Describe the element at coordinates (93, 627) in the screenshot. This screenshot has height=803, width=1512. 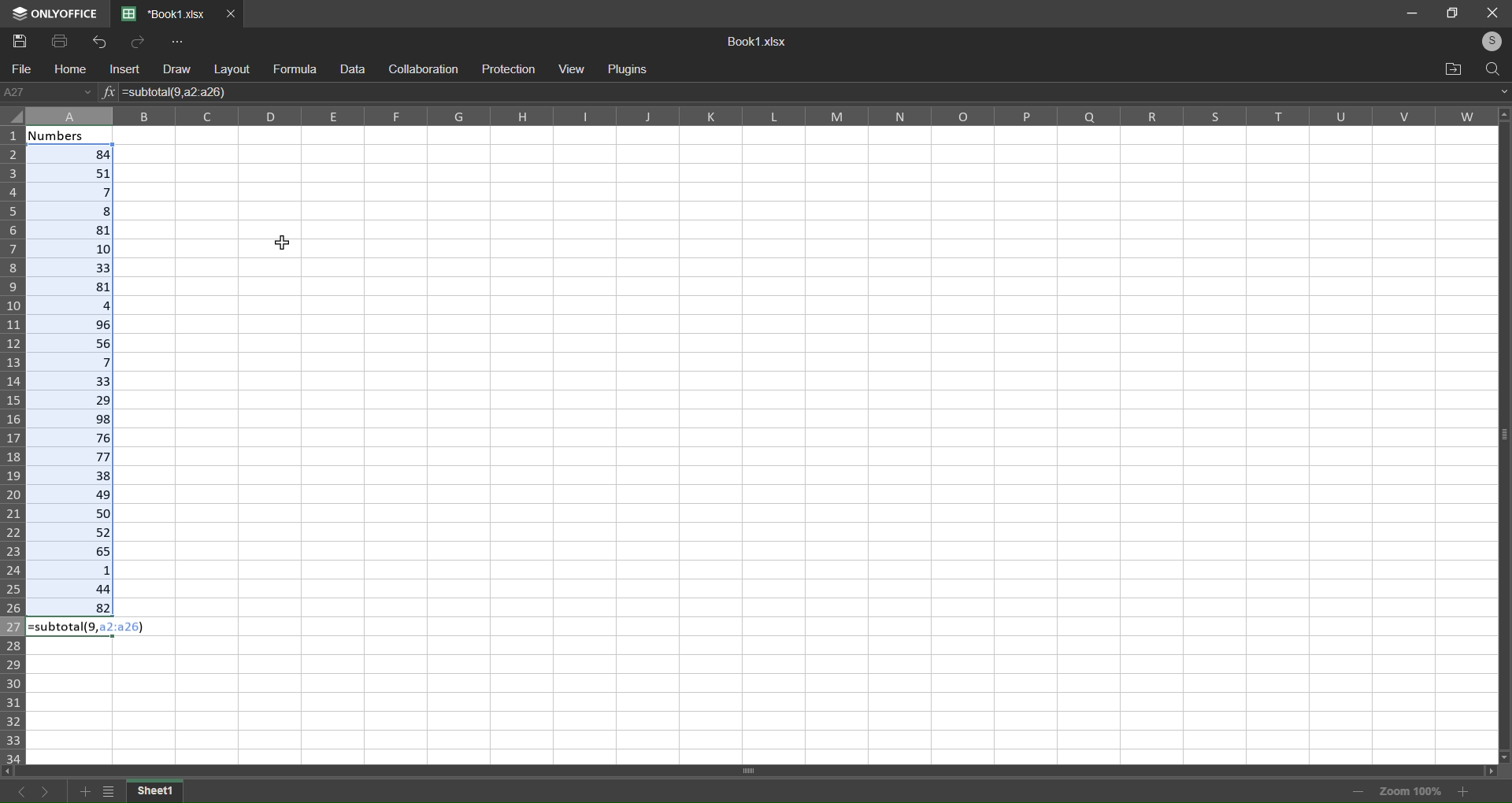
I see `=subtotal(9,a2,a26)` at that location.